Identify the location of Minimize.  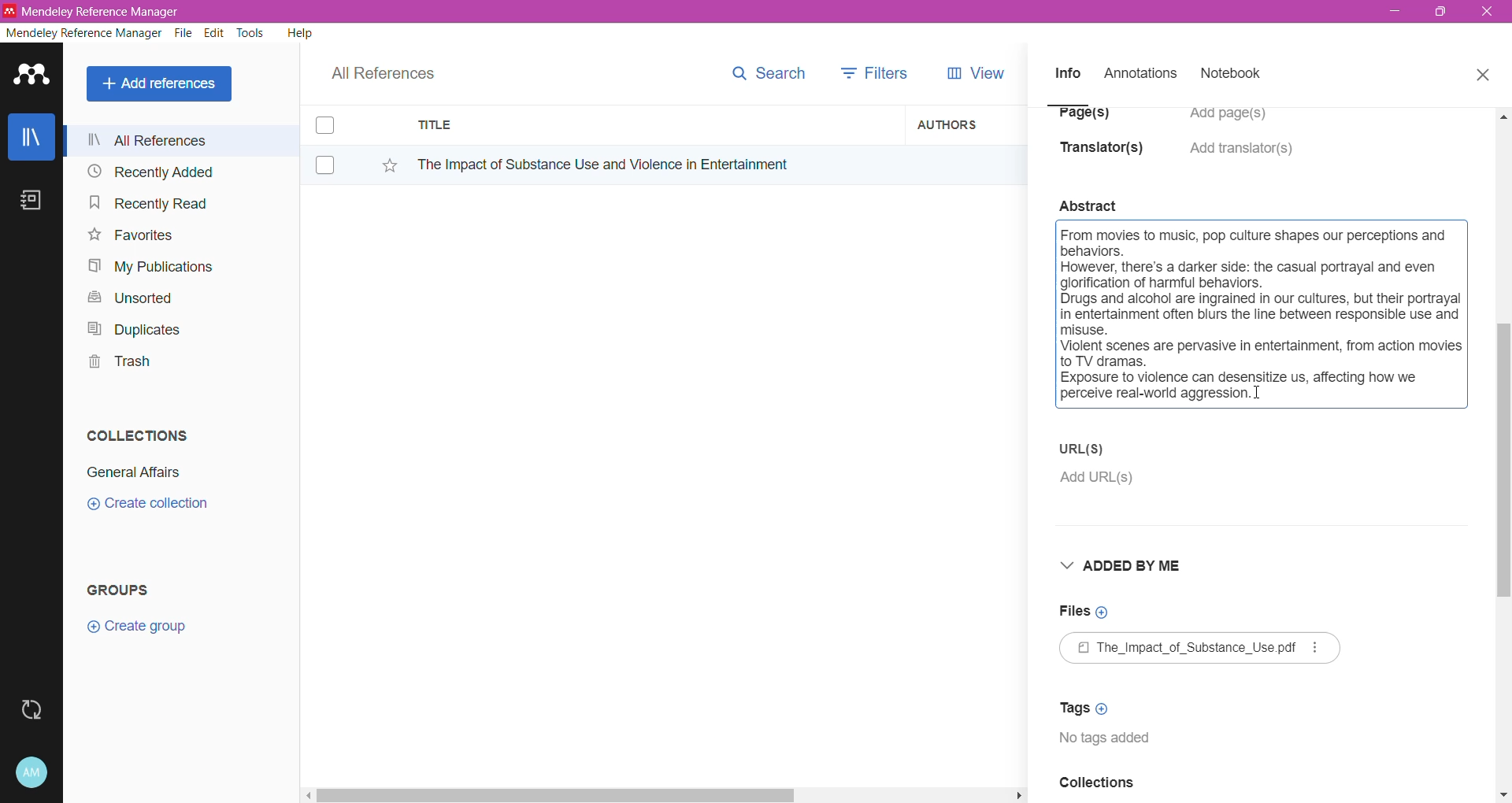
(1395, 12).